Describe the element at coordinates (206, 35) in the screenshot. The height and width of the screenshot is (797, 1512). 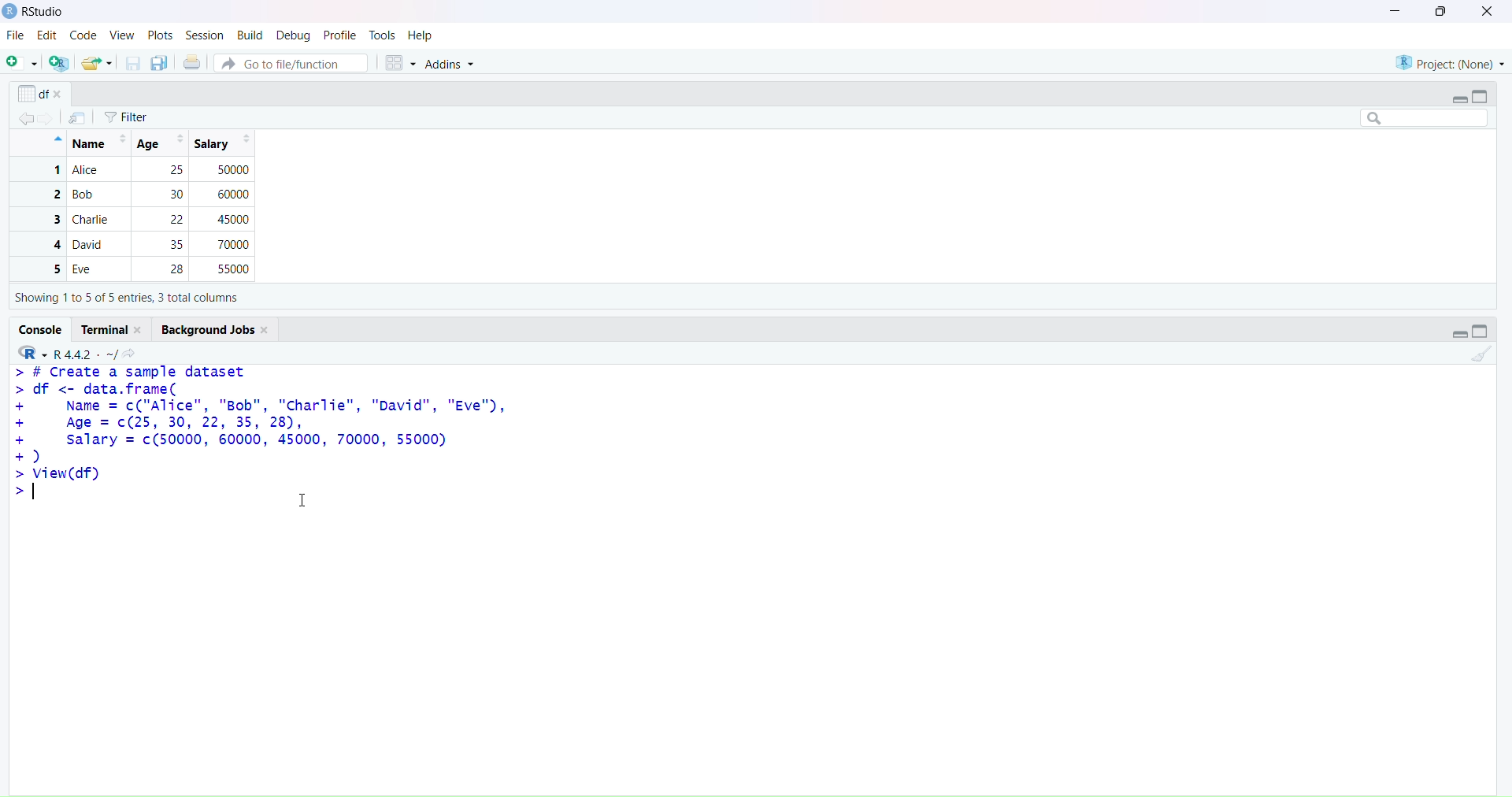
I see `session` at that location.